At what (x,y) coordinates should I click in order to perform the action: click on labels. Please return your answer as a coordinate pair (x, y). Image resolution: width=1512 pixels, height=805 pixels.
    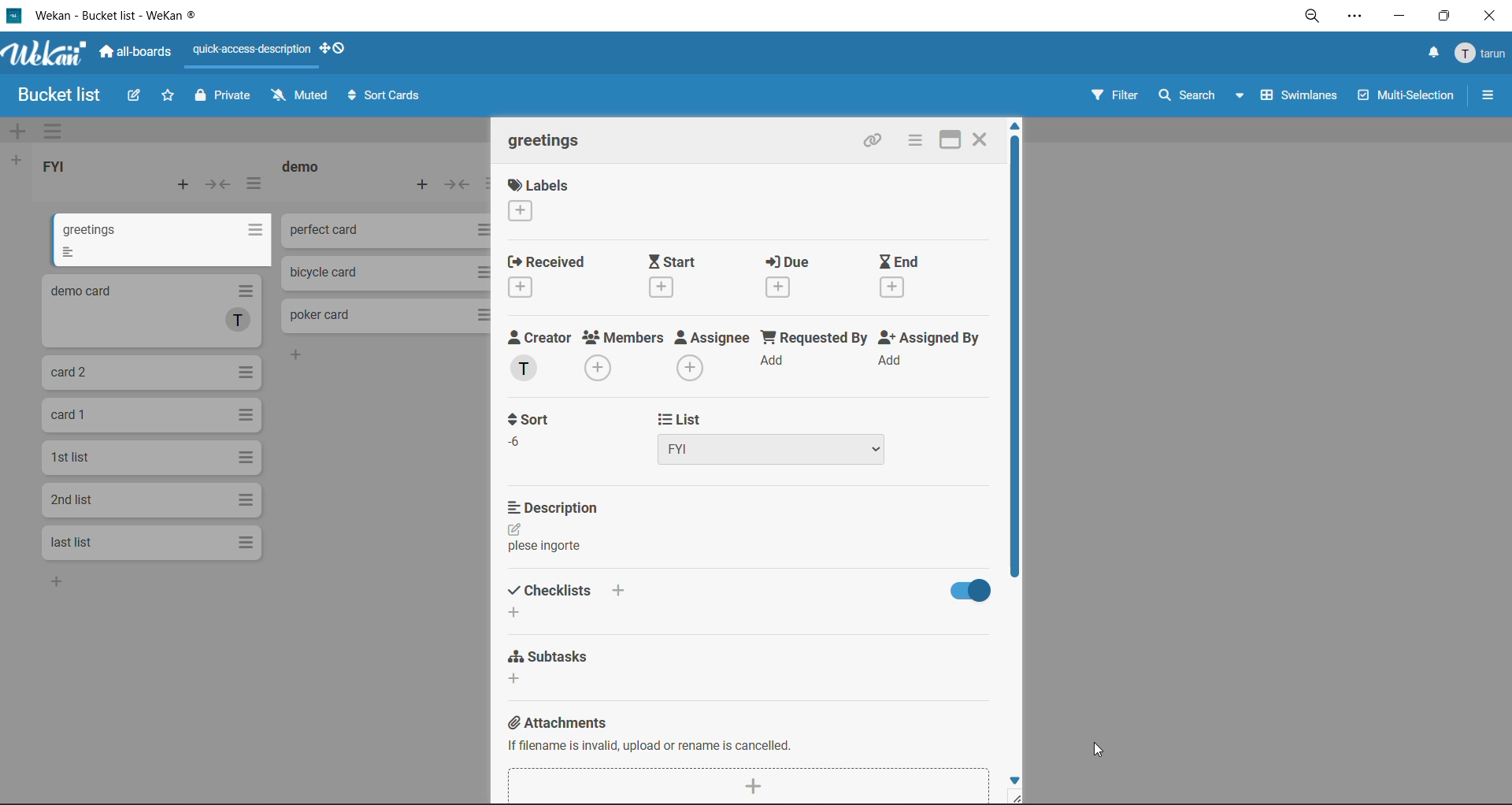
    Looking at the image, I should click on (534, 196).